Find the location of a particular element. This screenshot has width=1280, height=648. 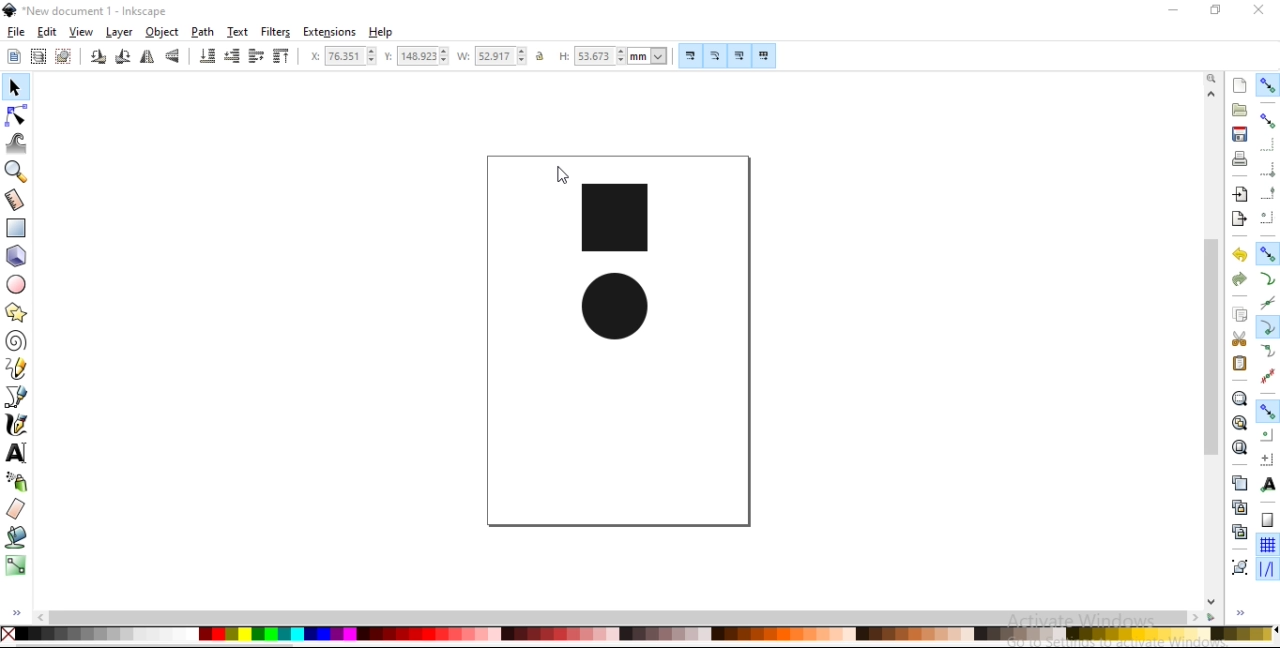

help is located at coordinates (381, 32).